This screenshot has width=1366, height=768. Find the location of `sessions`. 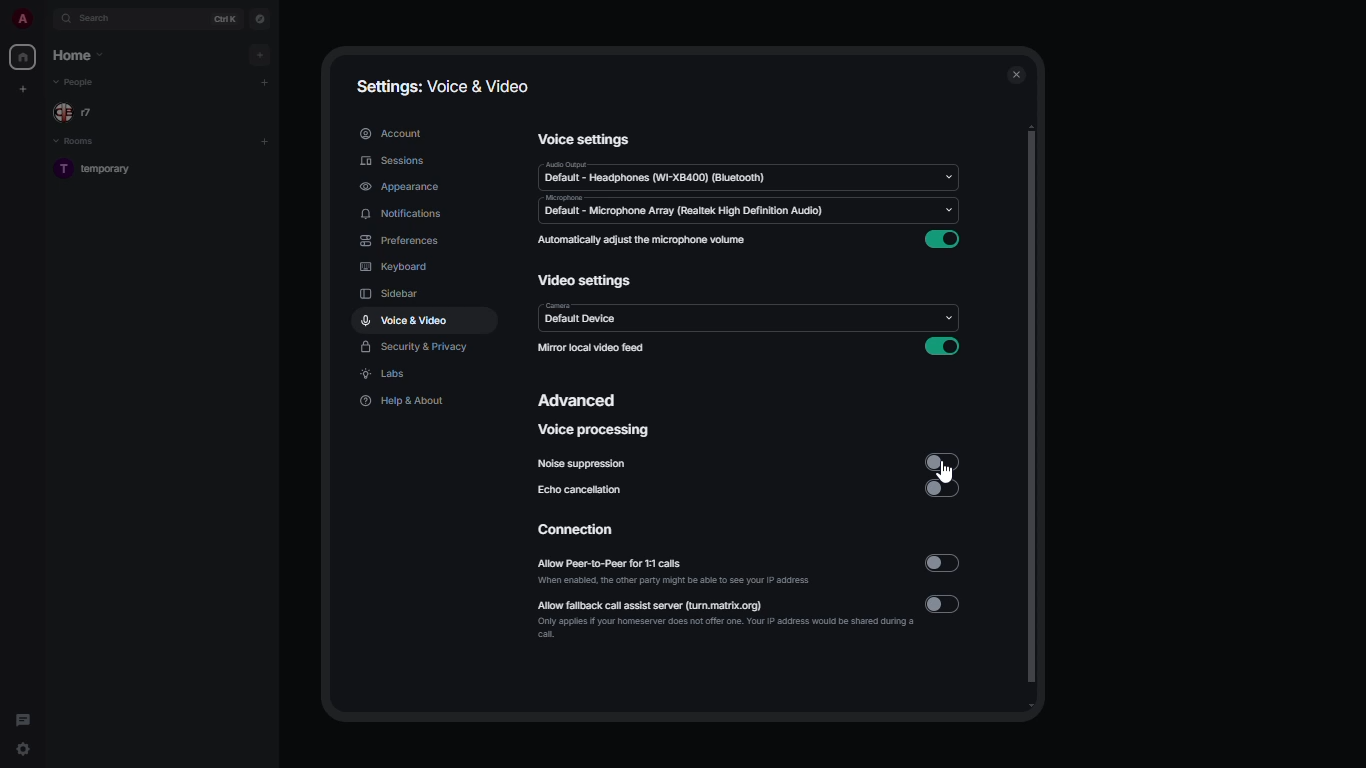

sessions is located at coordinates (393, 161).